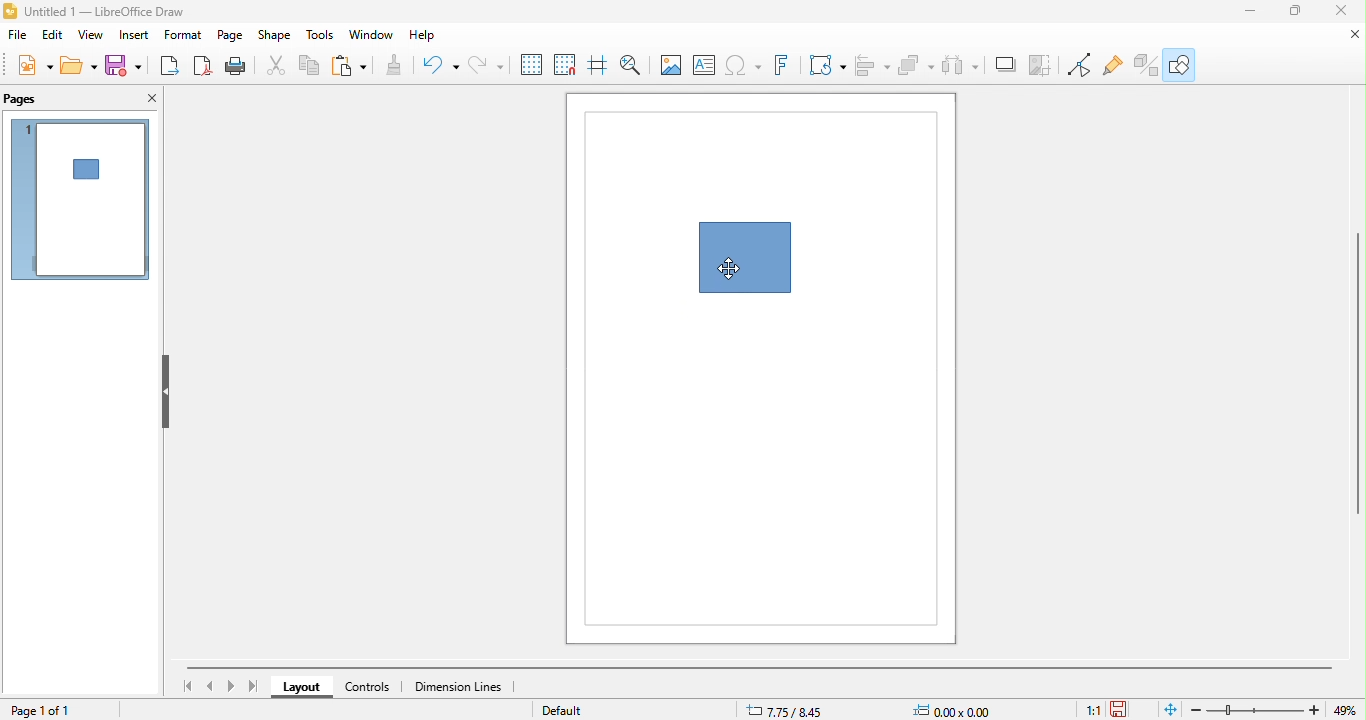  Describe the element at coordinates (603, 66) in the screenshot. I see `helplines while moving` at that location.